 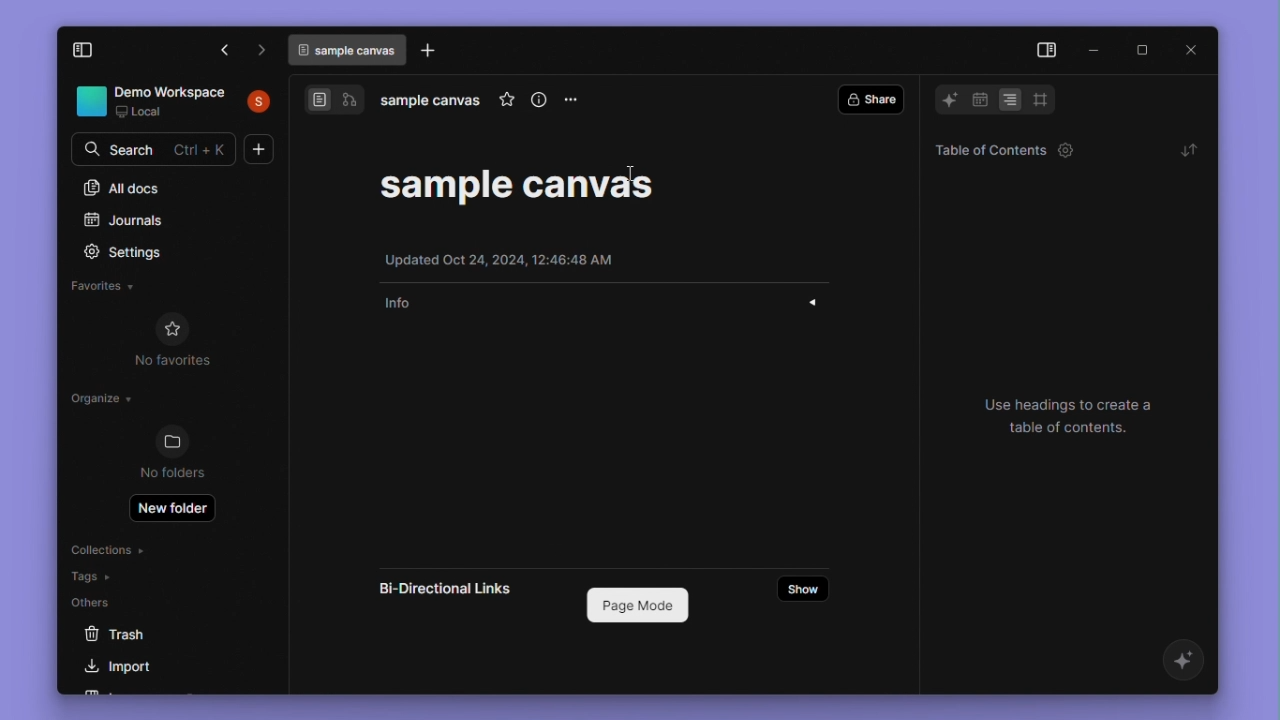 I want to click on bi directional links, so click(x=450, y=590).